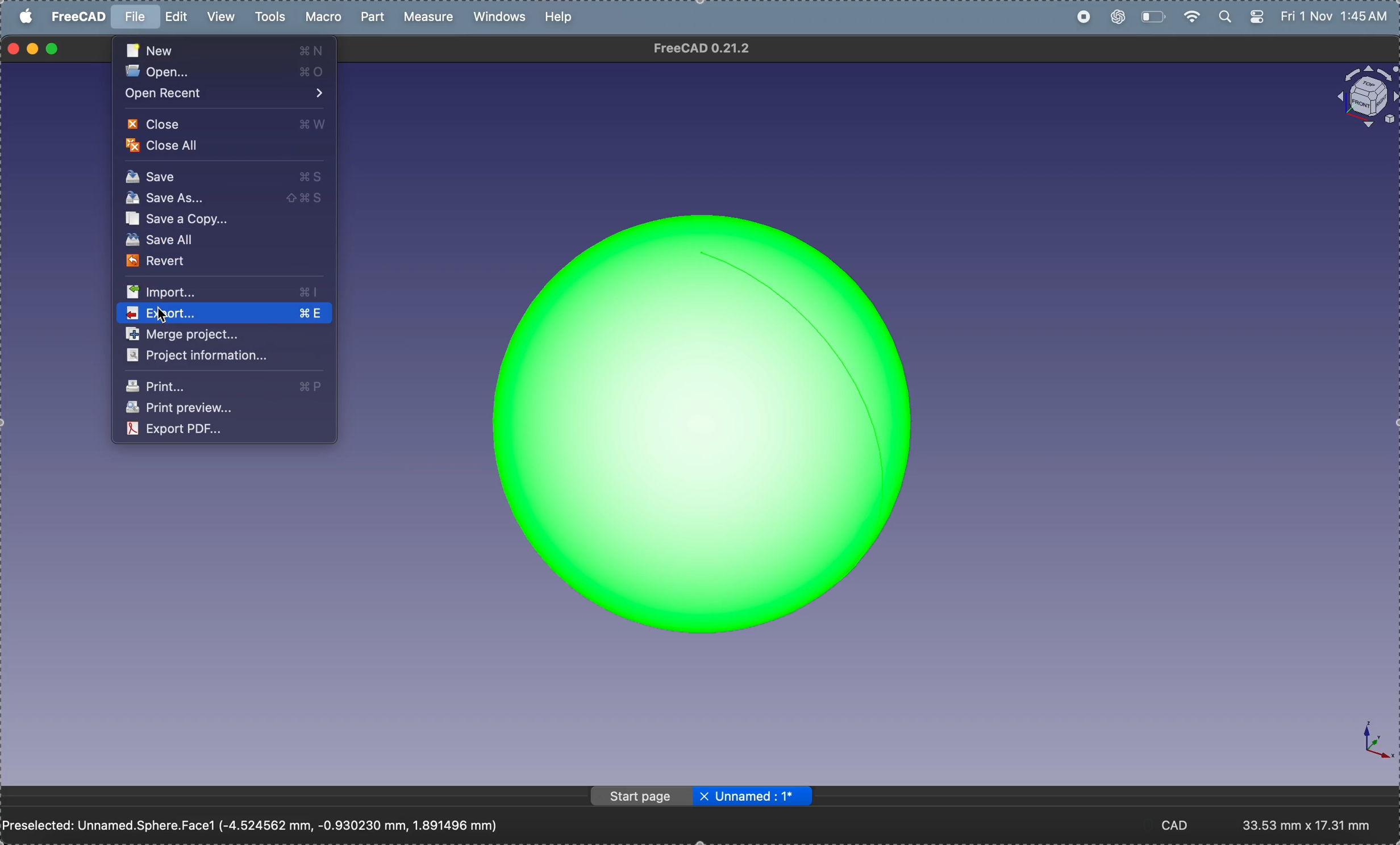  I want to click on open account, so click(226, 94).